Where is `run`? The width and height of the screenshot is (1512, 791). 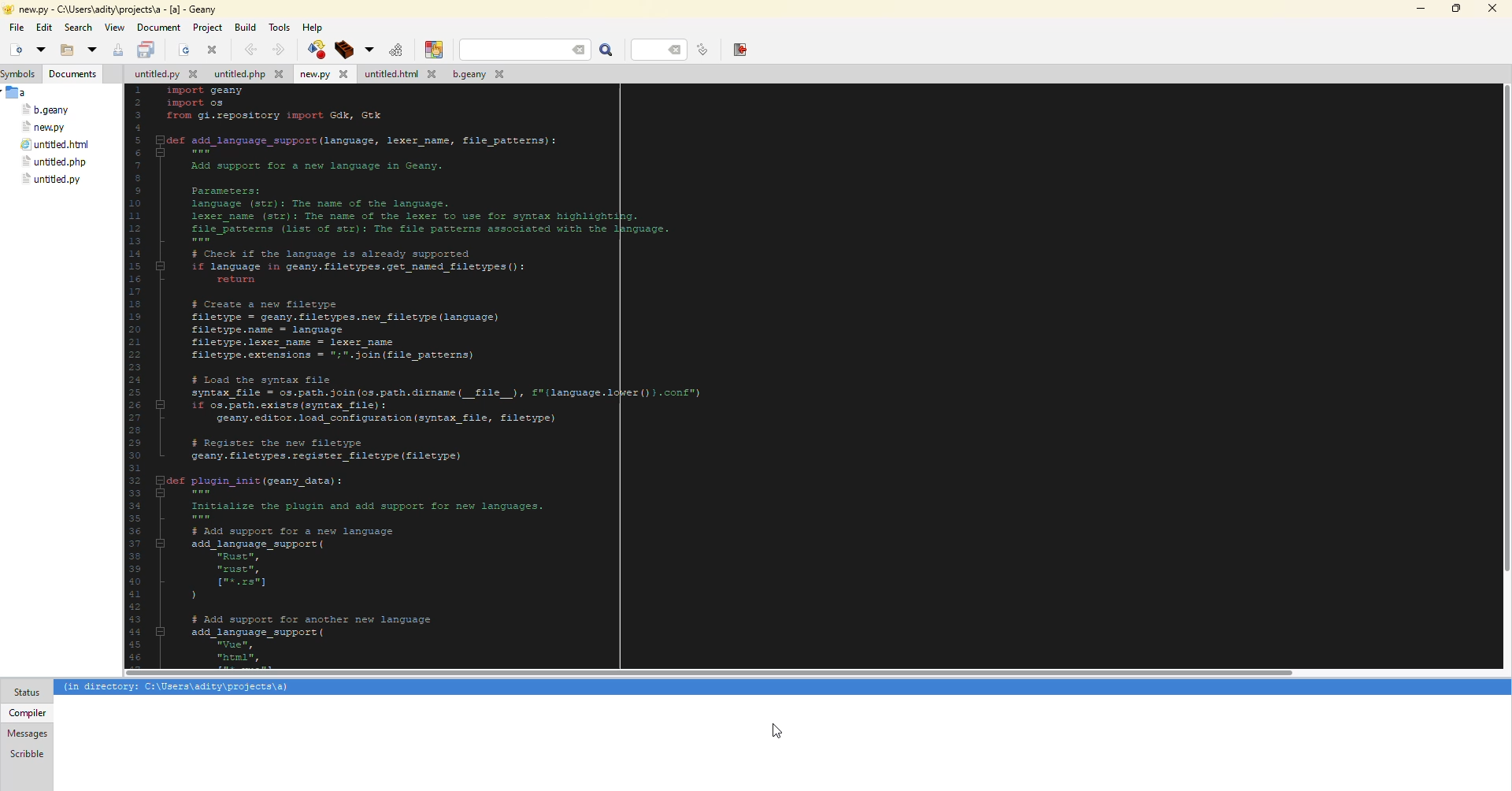
run is located at coordinates (395, 50).